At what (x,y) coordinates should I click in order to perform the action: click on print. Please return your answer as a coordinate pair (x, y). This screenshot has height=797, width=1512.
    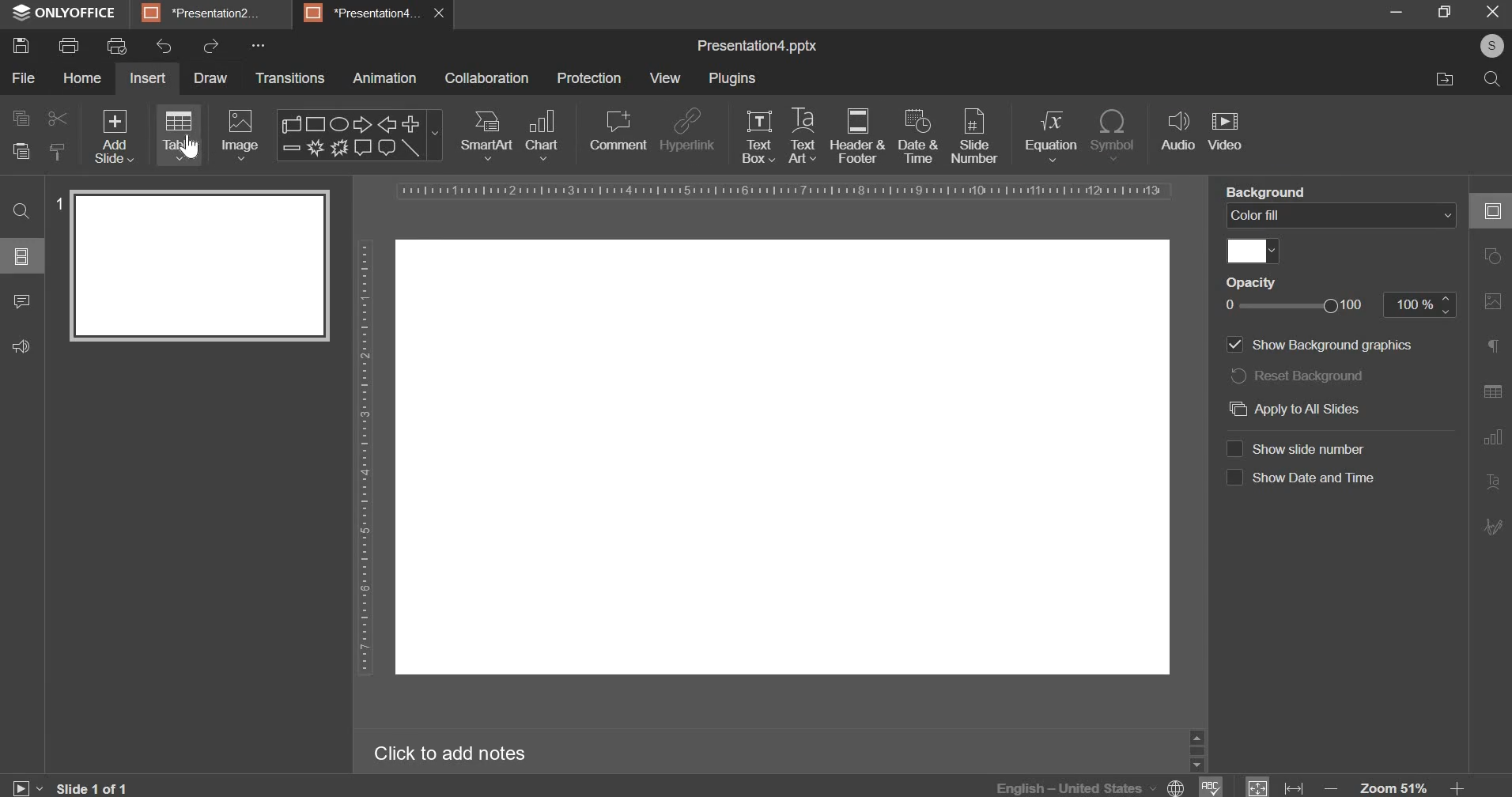
    Looking at the image, I should click on (69, 47).